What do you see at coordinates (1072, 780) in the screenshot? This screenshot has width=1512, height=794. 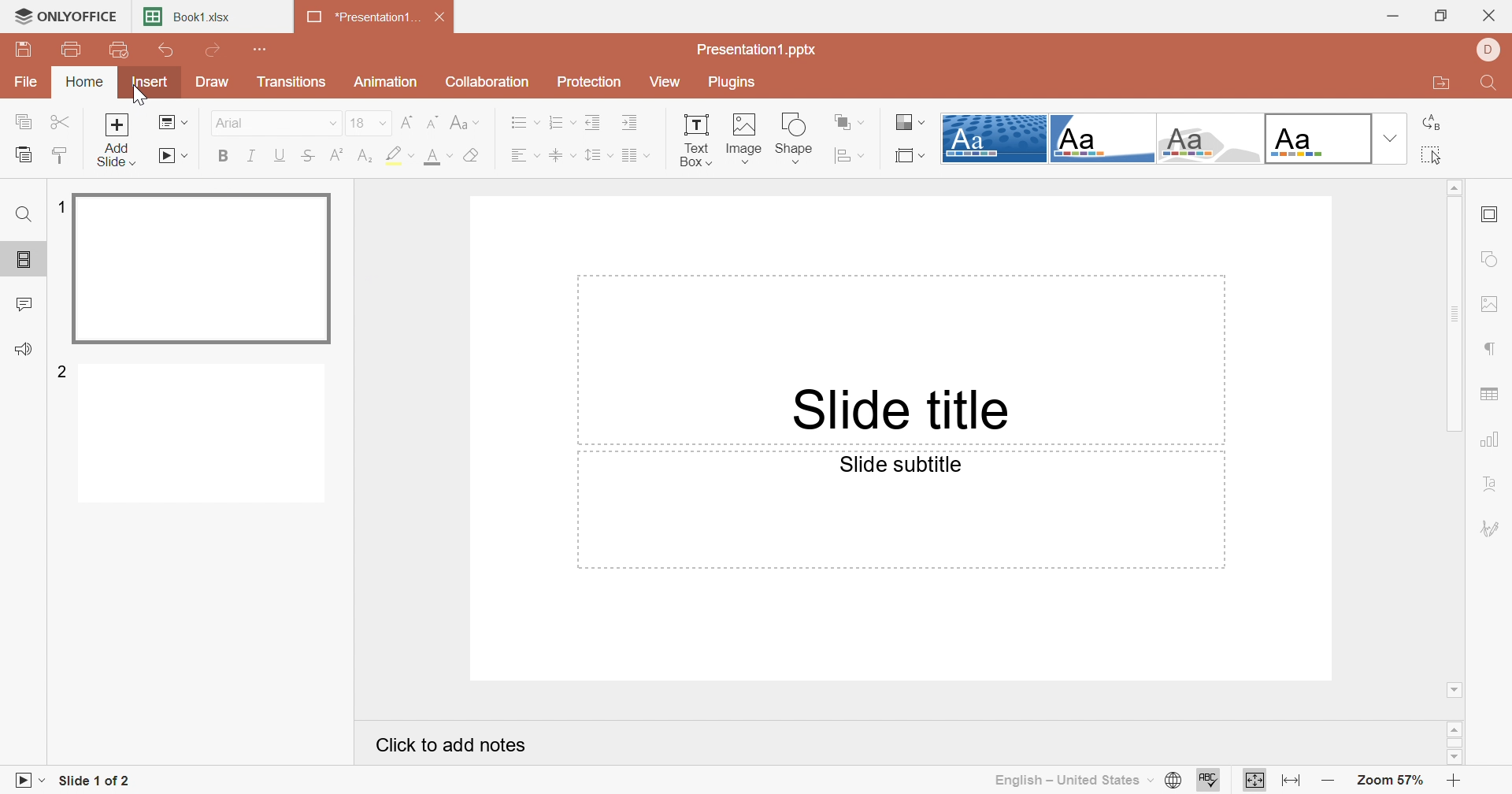 I see `English - United States` at bounding box center [1072, 780].